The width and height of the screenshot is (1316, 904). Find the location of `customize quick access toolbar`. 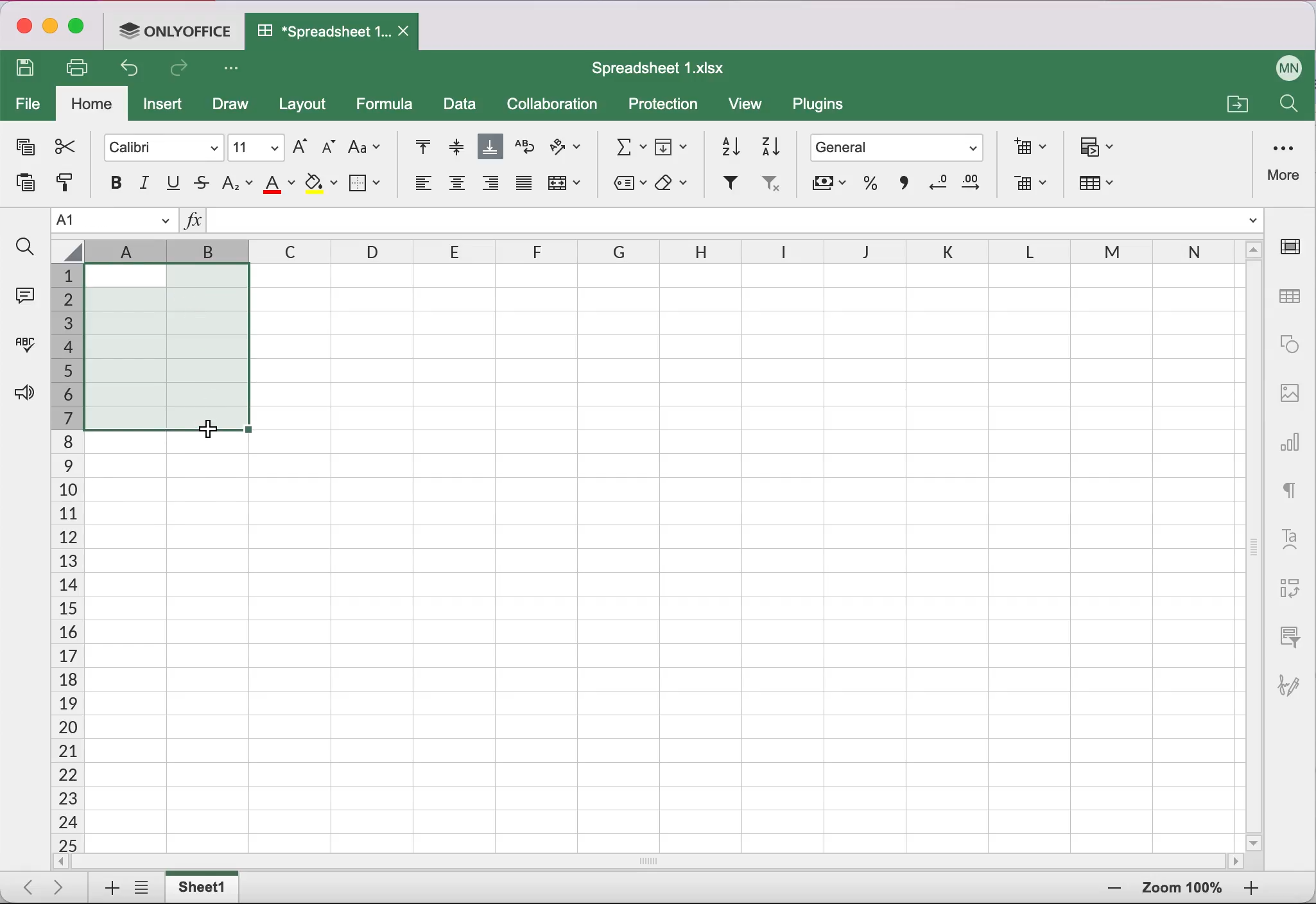

customize quick access toolbar is located at coordinates (235, 69).